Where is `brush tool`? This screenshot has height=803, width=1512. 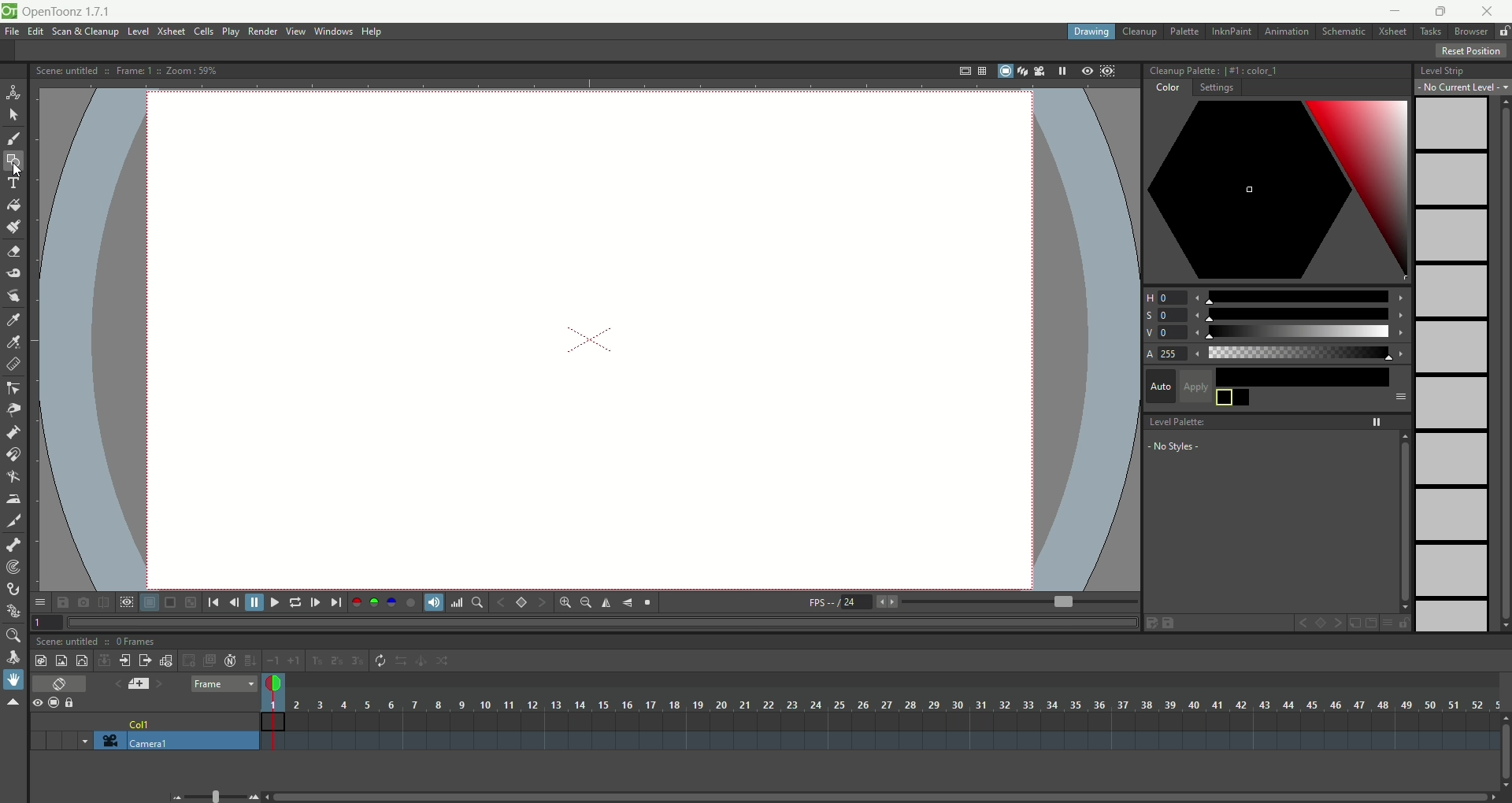
brush tool is located at coordinates (15, 140).